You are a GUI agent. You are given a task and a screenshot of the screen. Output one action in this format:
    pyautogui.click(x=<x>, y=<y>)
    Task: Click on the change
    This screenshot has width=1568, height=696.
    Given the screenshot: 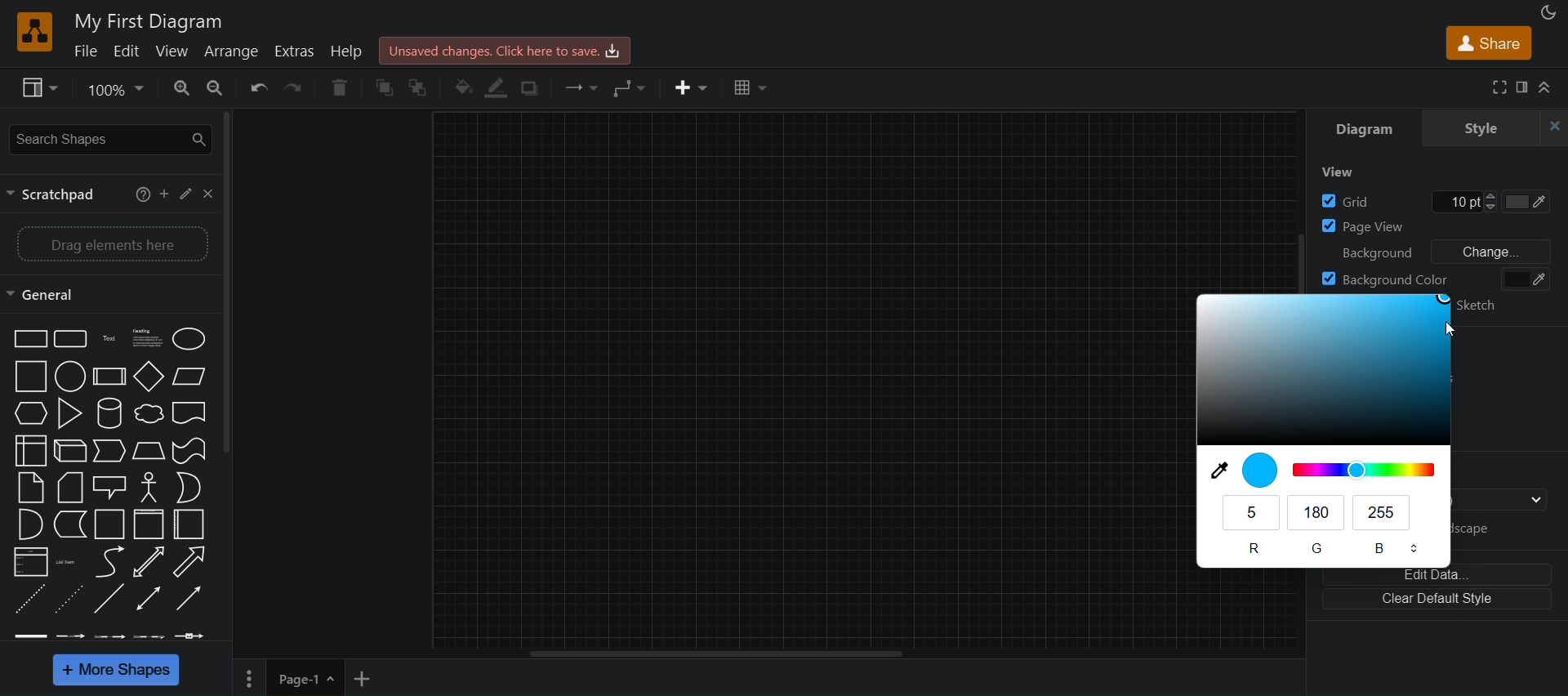 What is the action you would take?
    pyautogui.click(x=1489, y=250)
    